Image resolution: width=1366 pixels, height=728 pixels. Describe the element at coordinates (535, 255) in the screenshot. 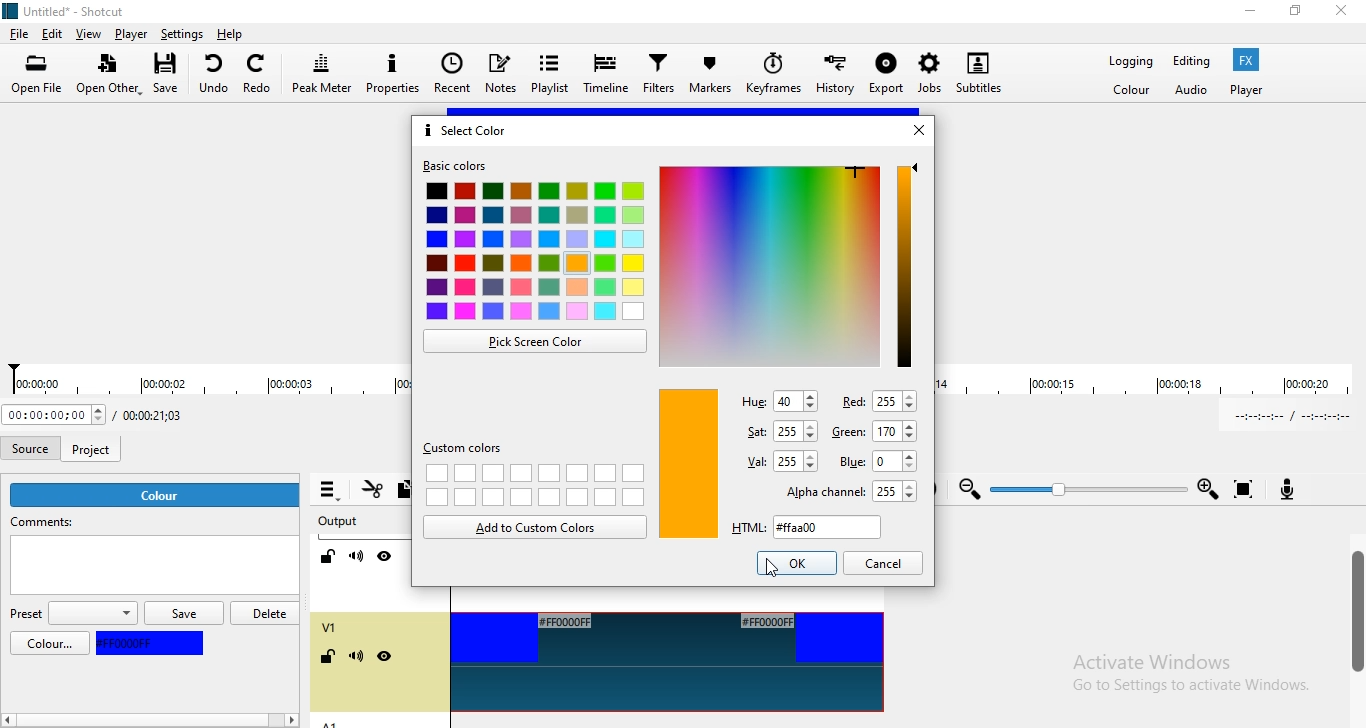

I see `color boxes` at that location.